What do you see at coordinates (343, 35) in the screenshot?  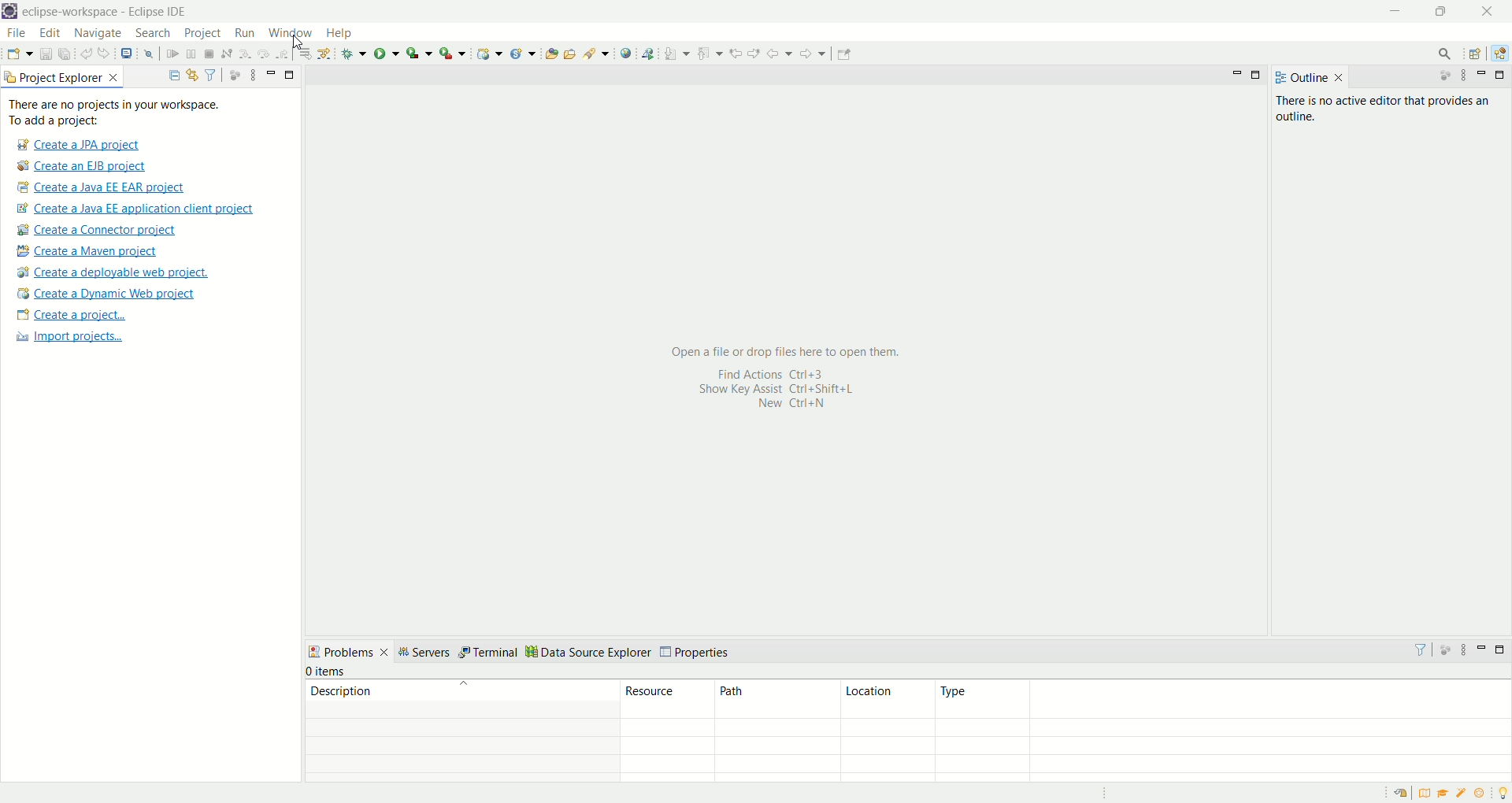 I see `help` at bounding box center [343, 35].